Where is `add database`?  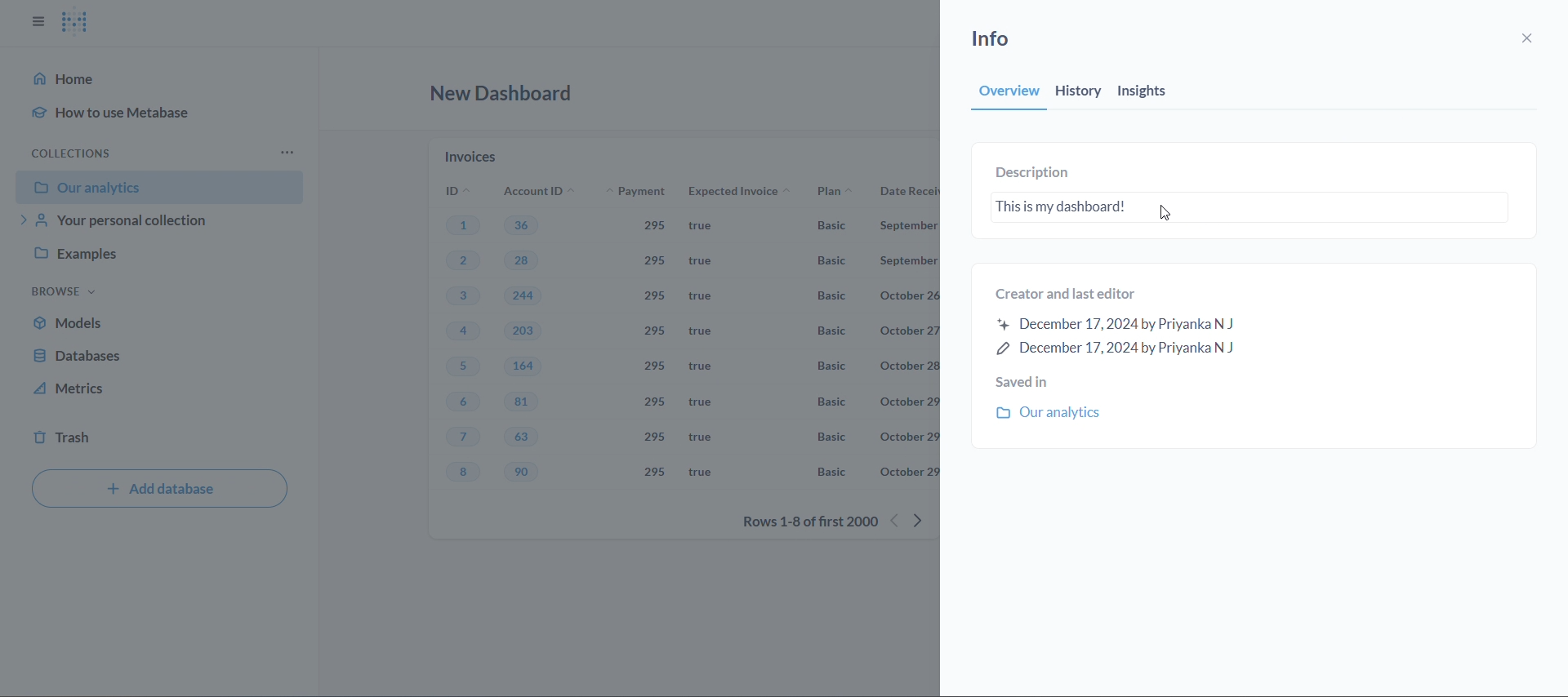
add database is located at coordinates (160, 489).